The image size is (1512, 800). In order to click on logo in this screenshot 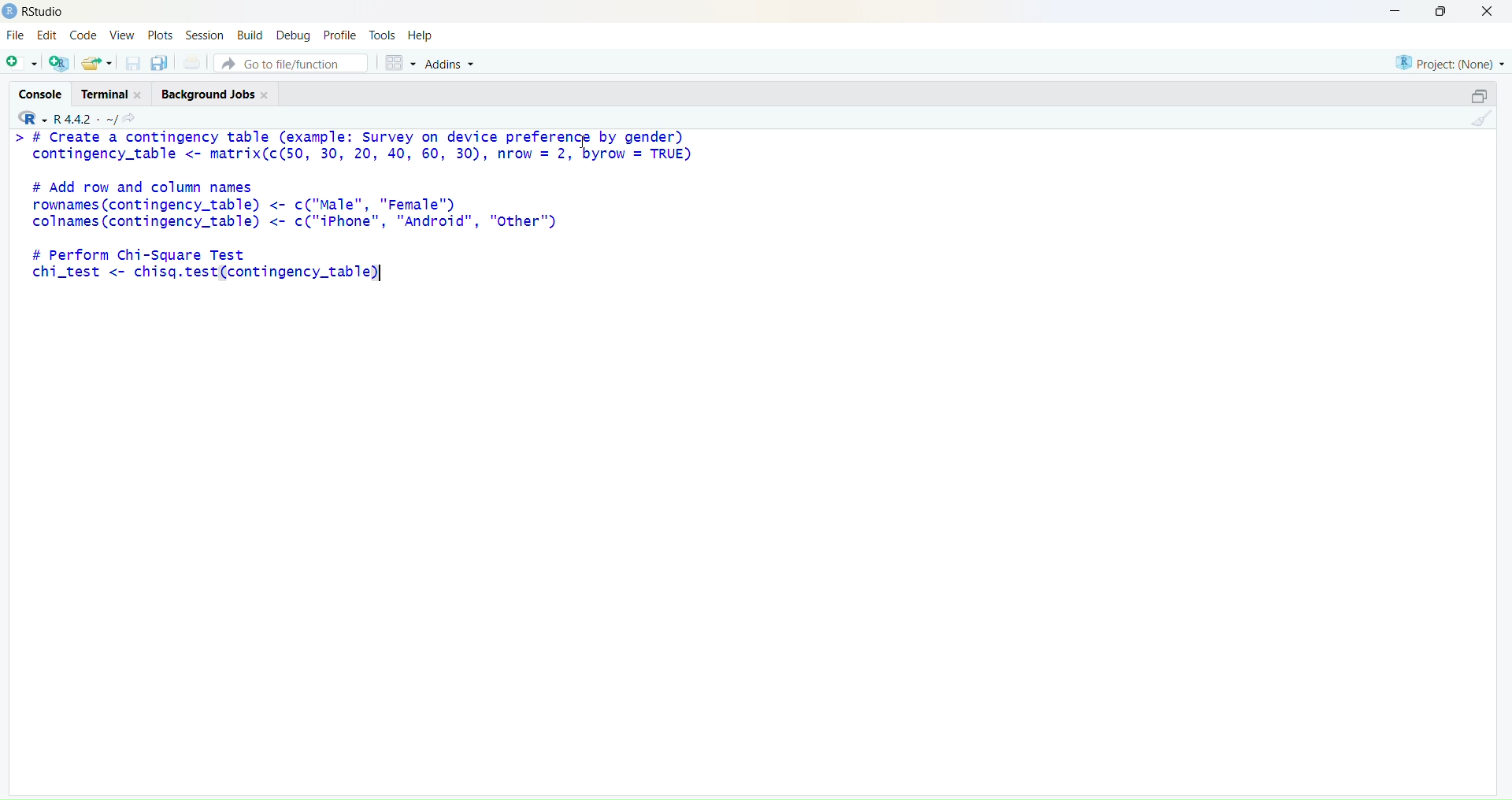, I will do `click(11, 12)`.